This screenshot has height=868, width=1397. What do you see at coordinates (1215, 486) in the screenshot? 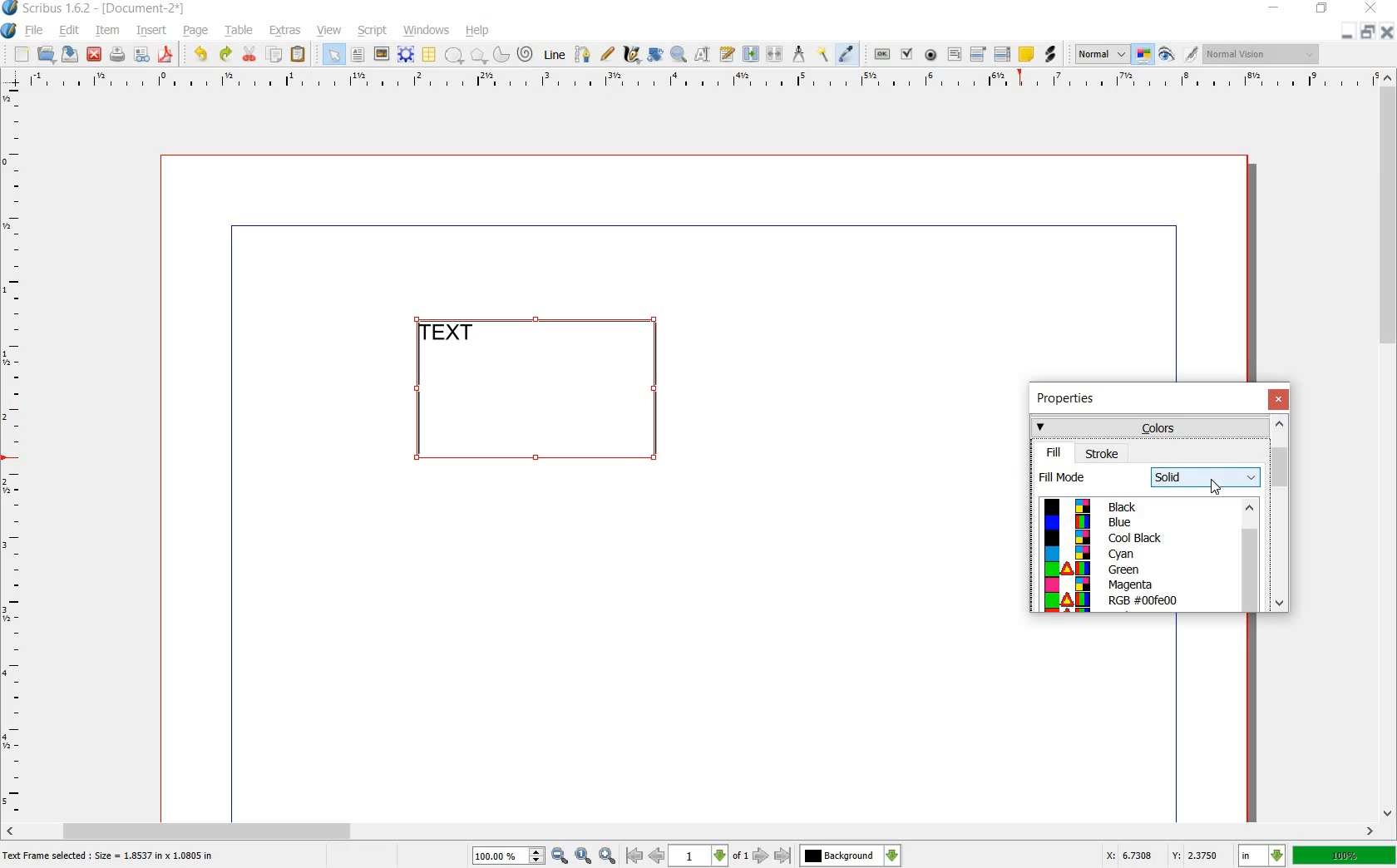
I see `cursor` at bounding box center [1215, 486].